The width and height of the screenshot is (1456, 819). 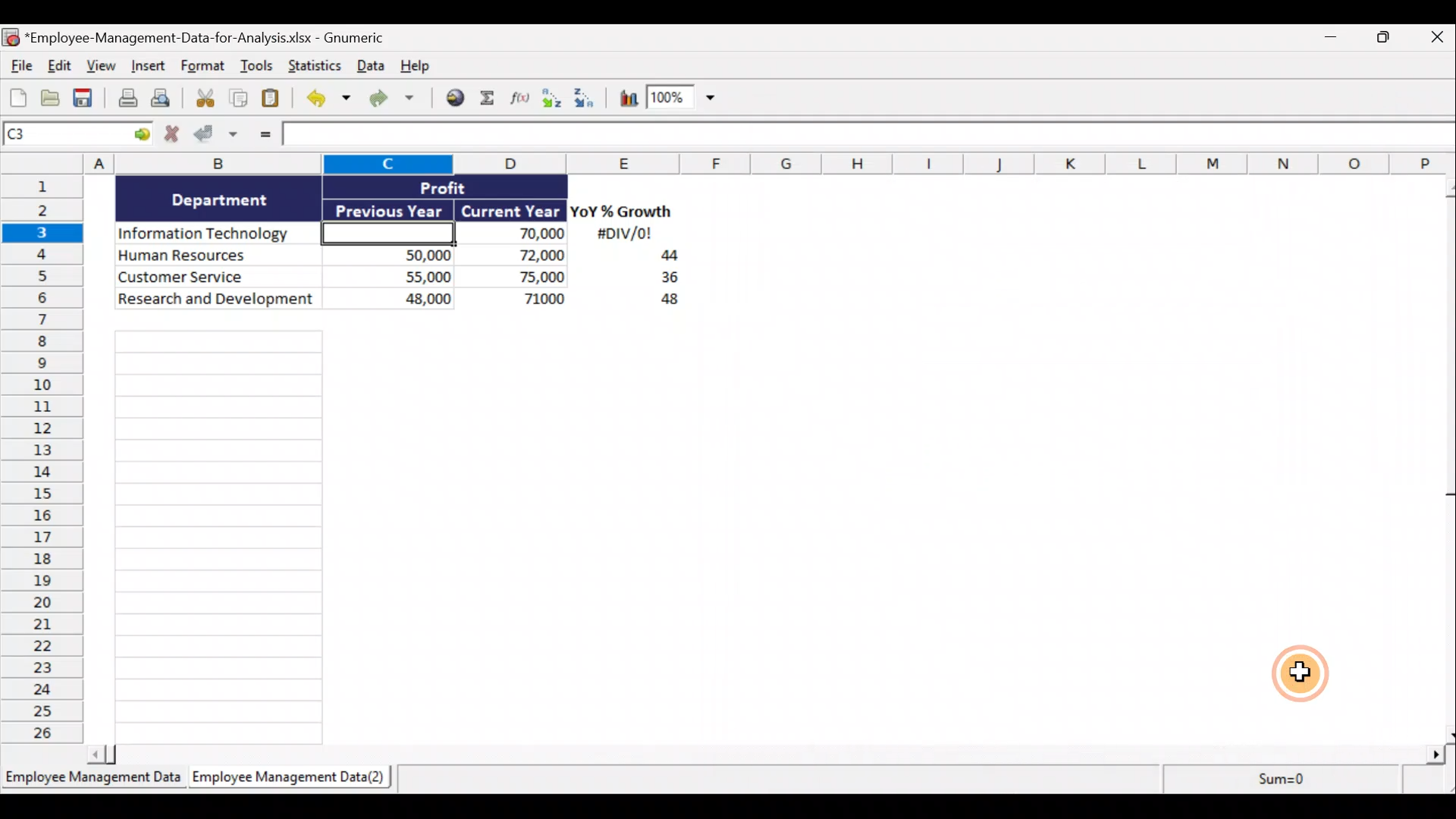 I want to click on Rows, so click(x=47, y=462).